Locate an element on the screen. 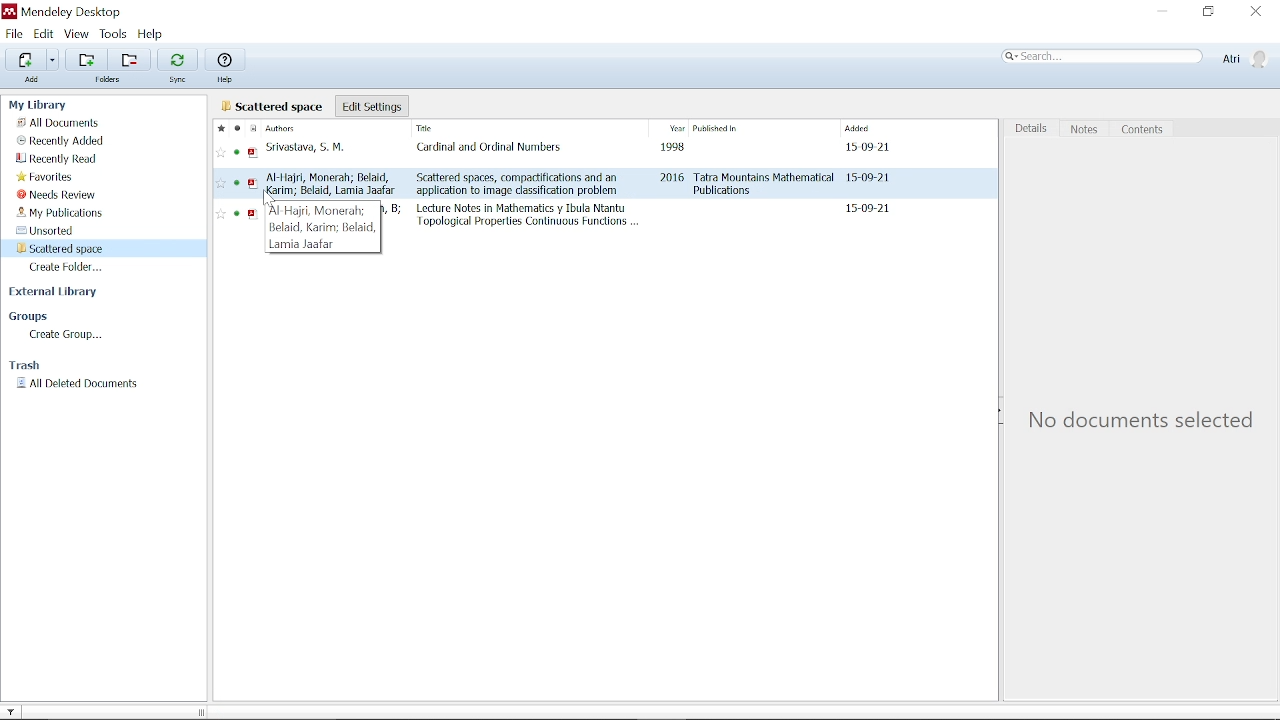  add is located at coordinates (32, 80).